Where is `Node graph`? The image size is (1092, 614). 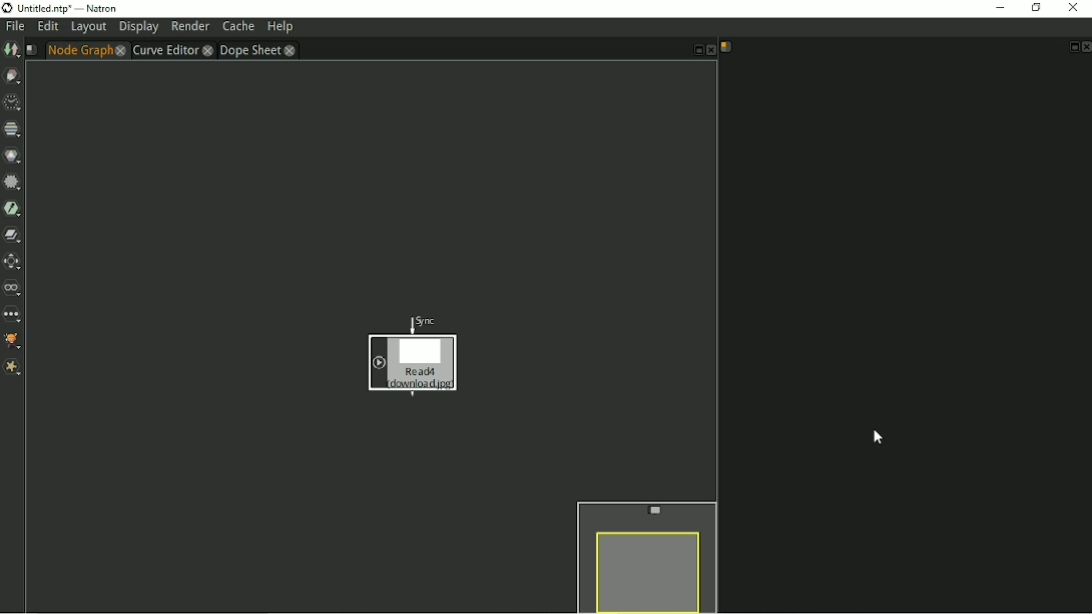
Node graph is located at coordinates (86, 50).